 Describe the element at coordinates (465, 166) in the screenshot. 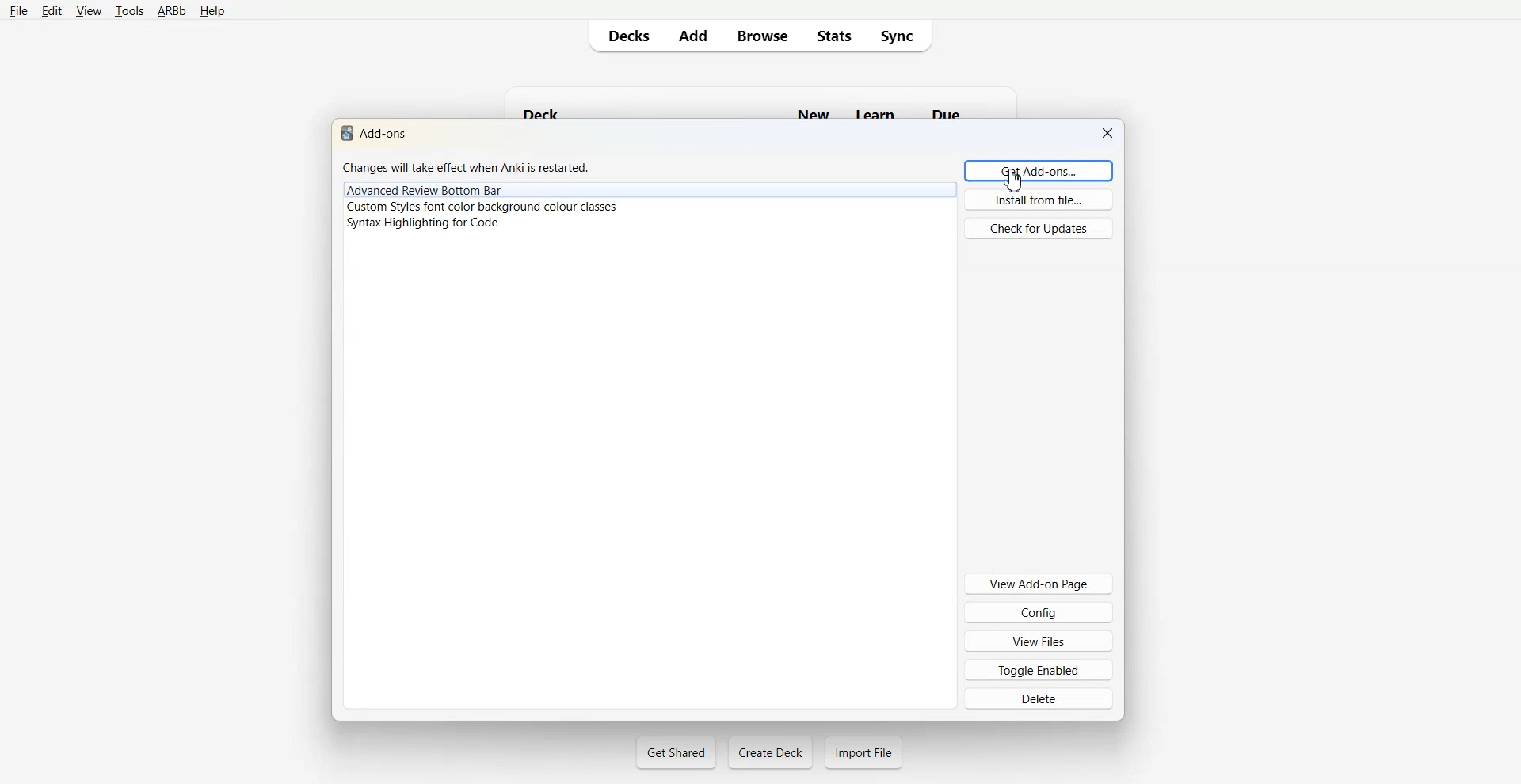

I see `Changes will take effect when Anki is restarted` at that location.